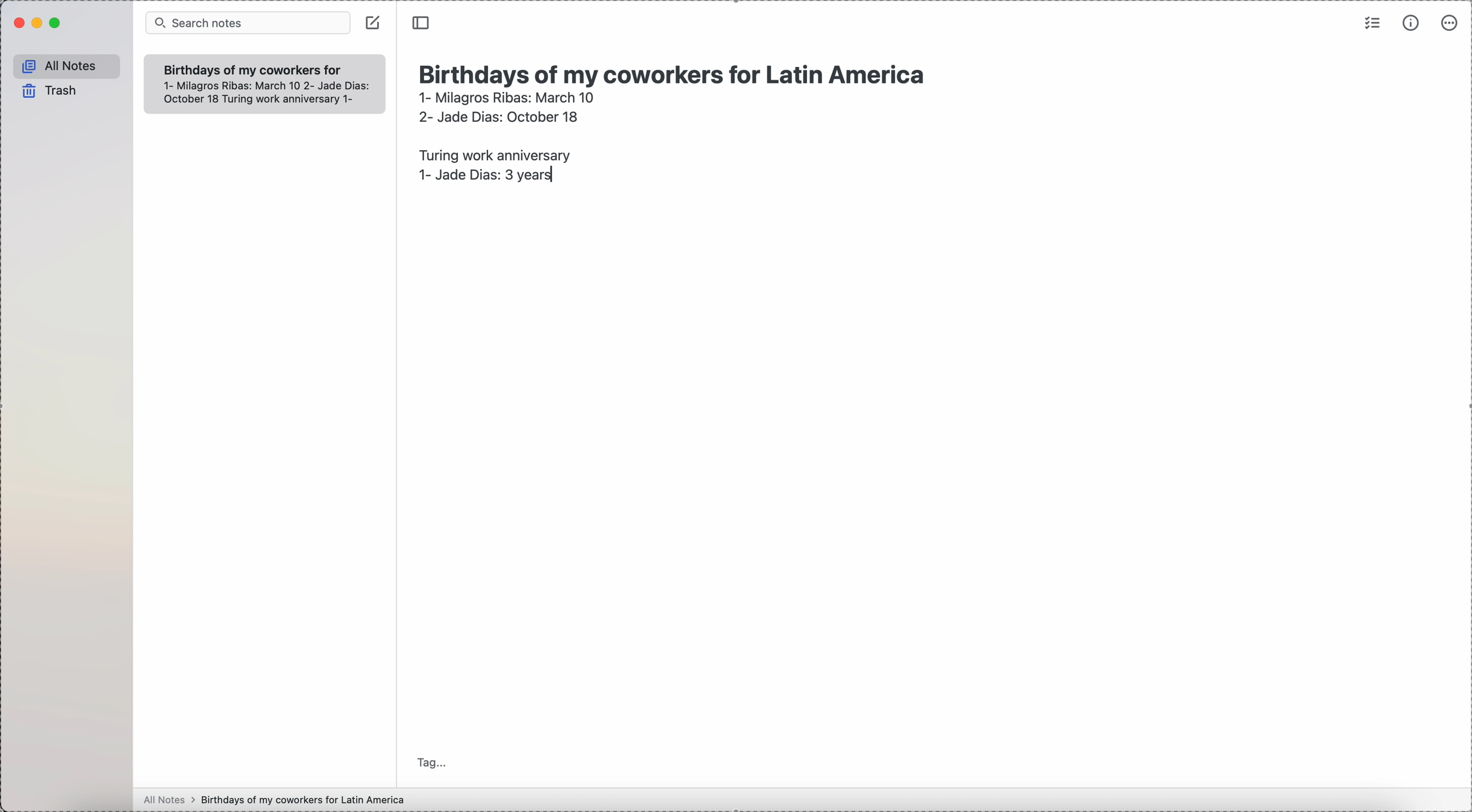 The width and height of the screenshot is (1472, 812). What do you see at coordinates (497, 115) in the screenshot?
I see `2- Jade Dias: October 18` at bounding box center [497, 115].